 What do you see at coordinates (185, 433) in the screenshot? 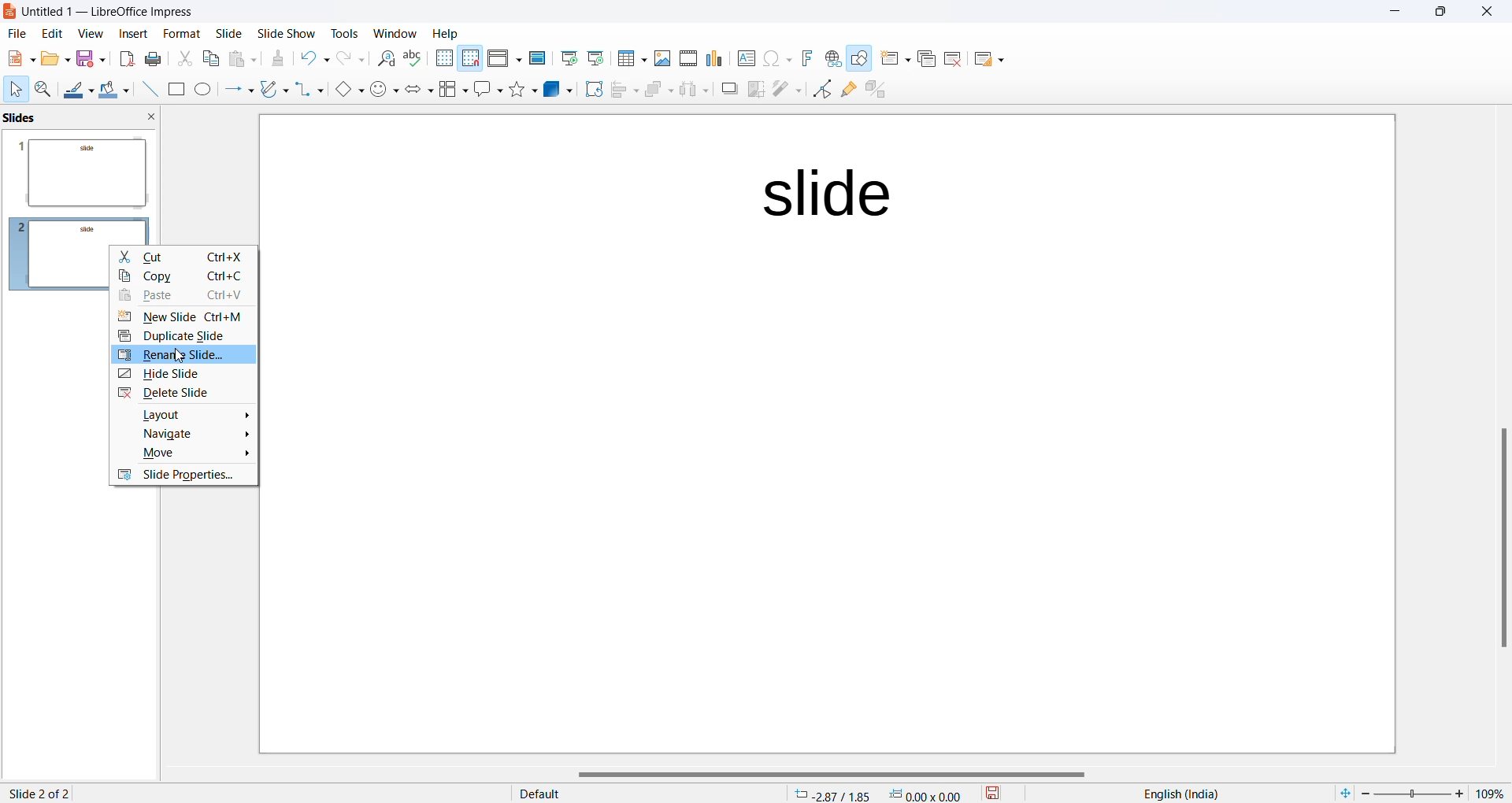
I see `navigate slide` at bounding box center [185, 433].